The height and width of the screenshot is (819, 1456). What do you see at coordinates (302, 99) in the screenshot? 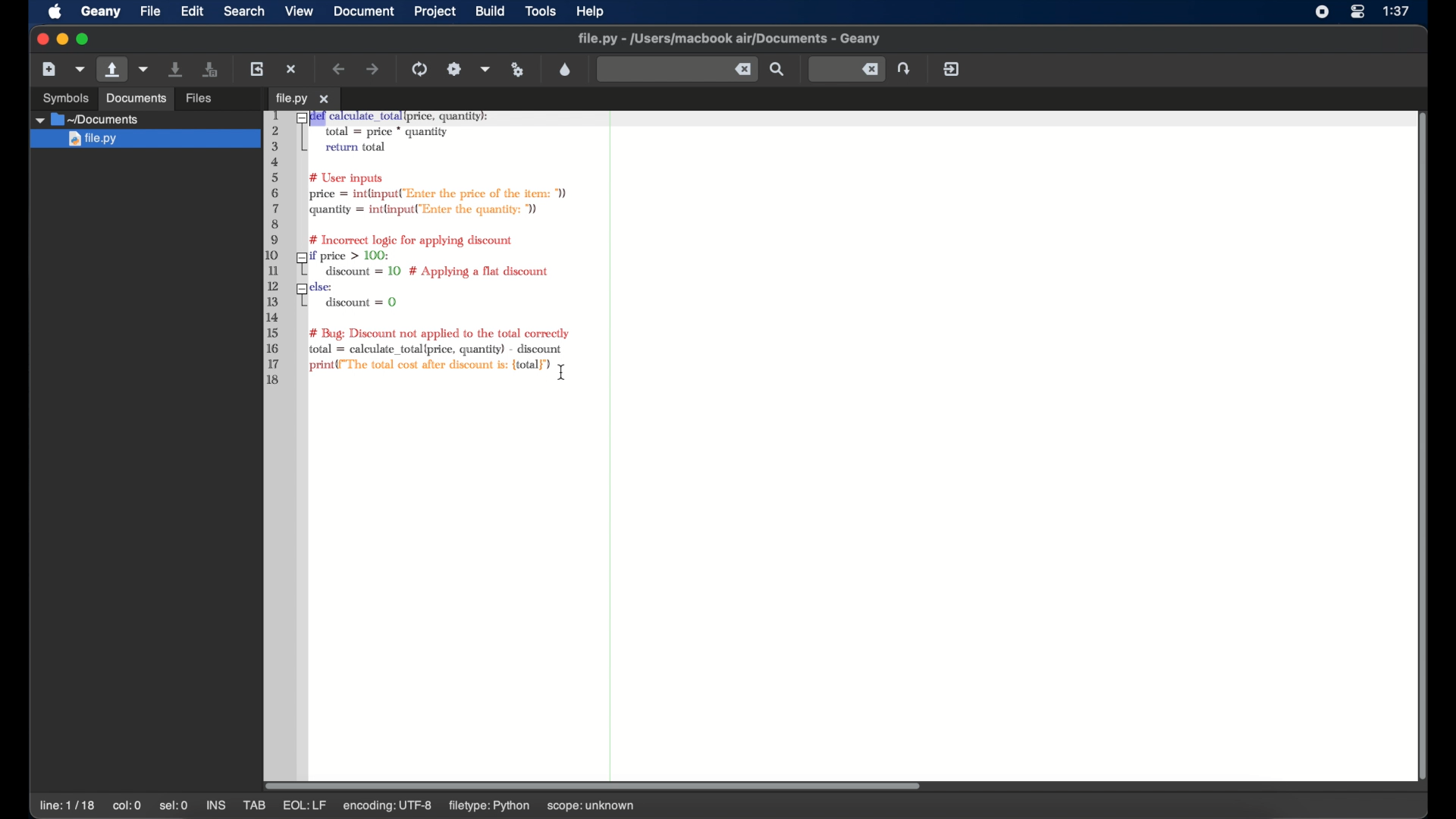
I see `file.py` at bounding box center [302, 99].